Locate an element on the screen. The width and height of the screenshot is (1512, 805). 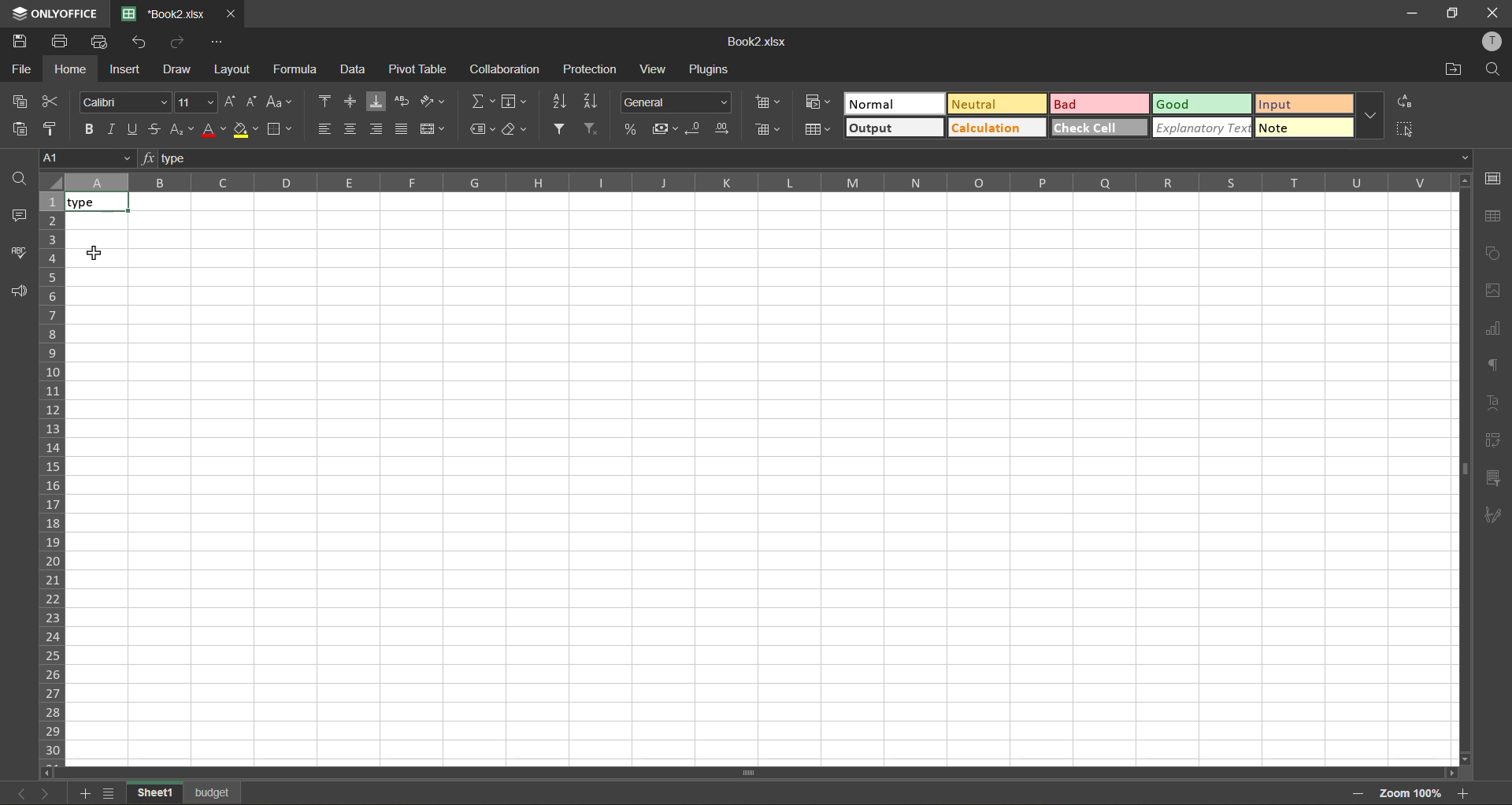
accounting is located at coordinates (666, 127).